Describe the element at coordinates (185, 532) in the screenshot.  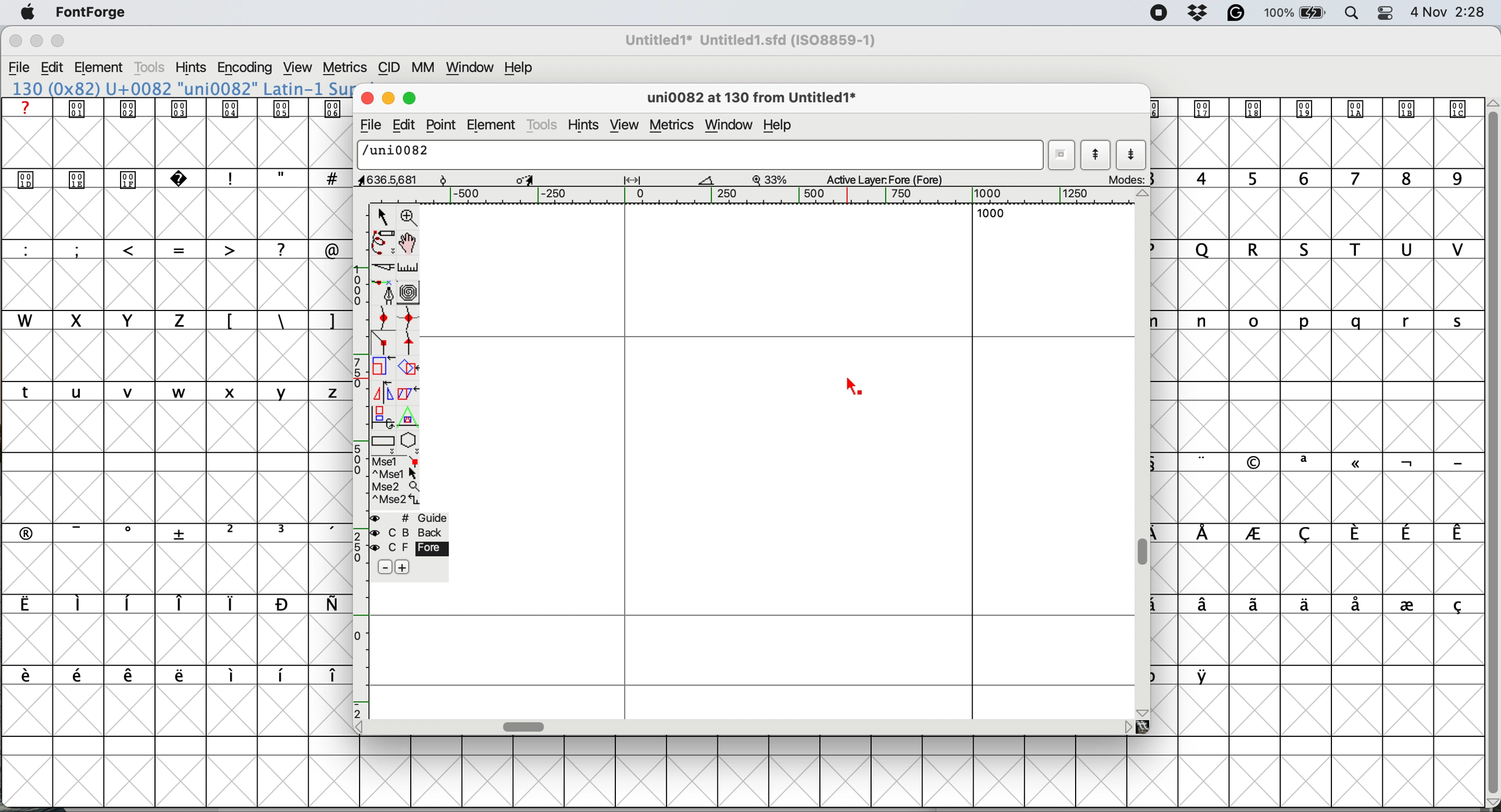
I see `symbols` at that location.